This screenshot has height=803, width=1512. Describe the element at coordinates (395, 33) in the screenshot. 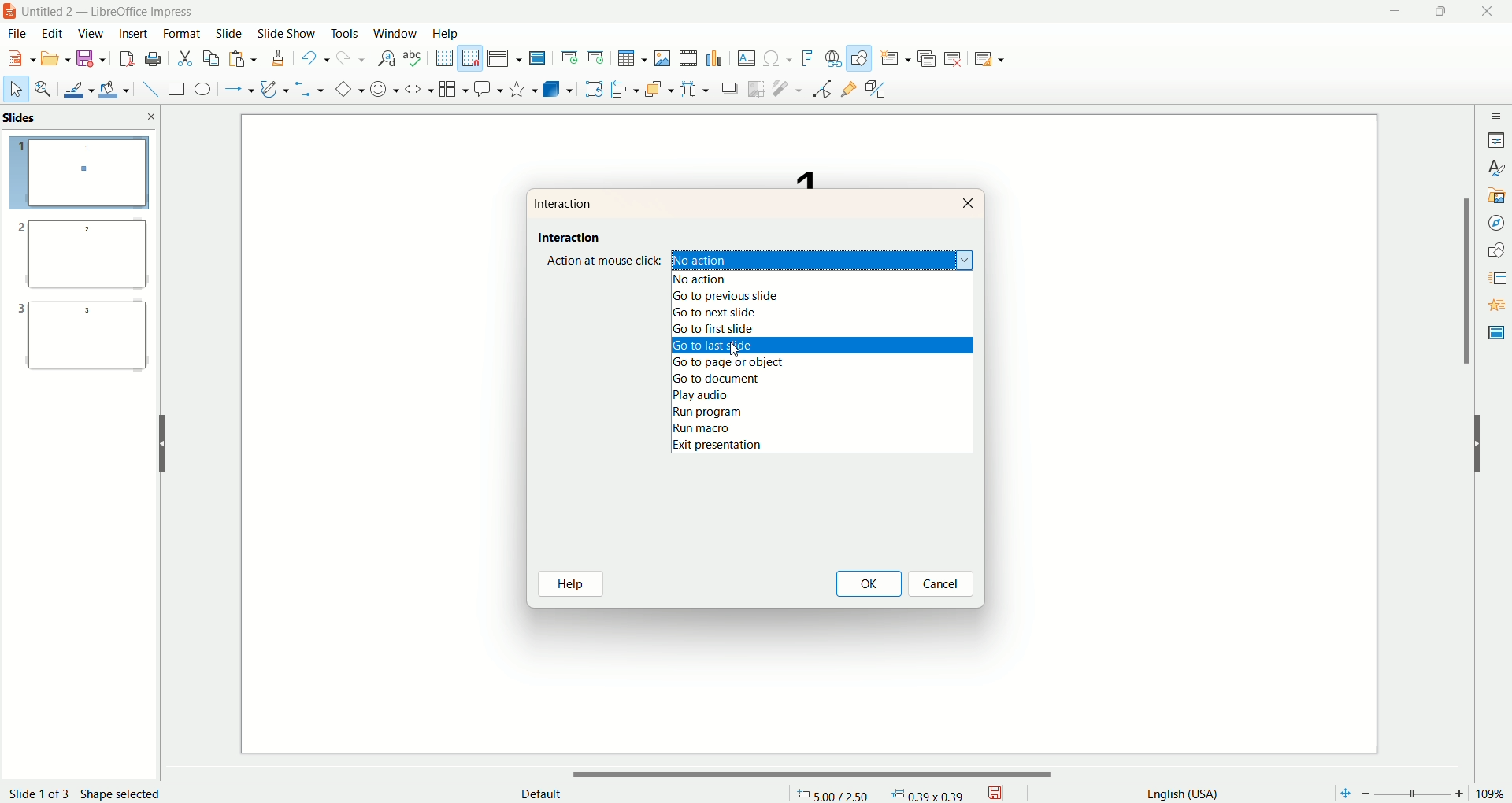

I see `window` at that location.